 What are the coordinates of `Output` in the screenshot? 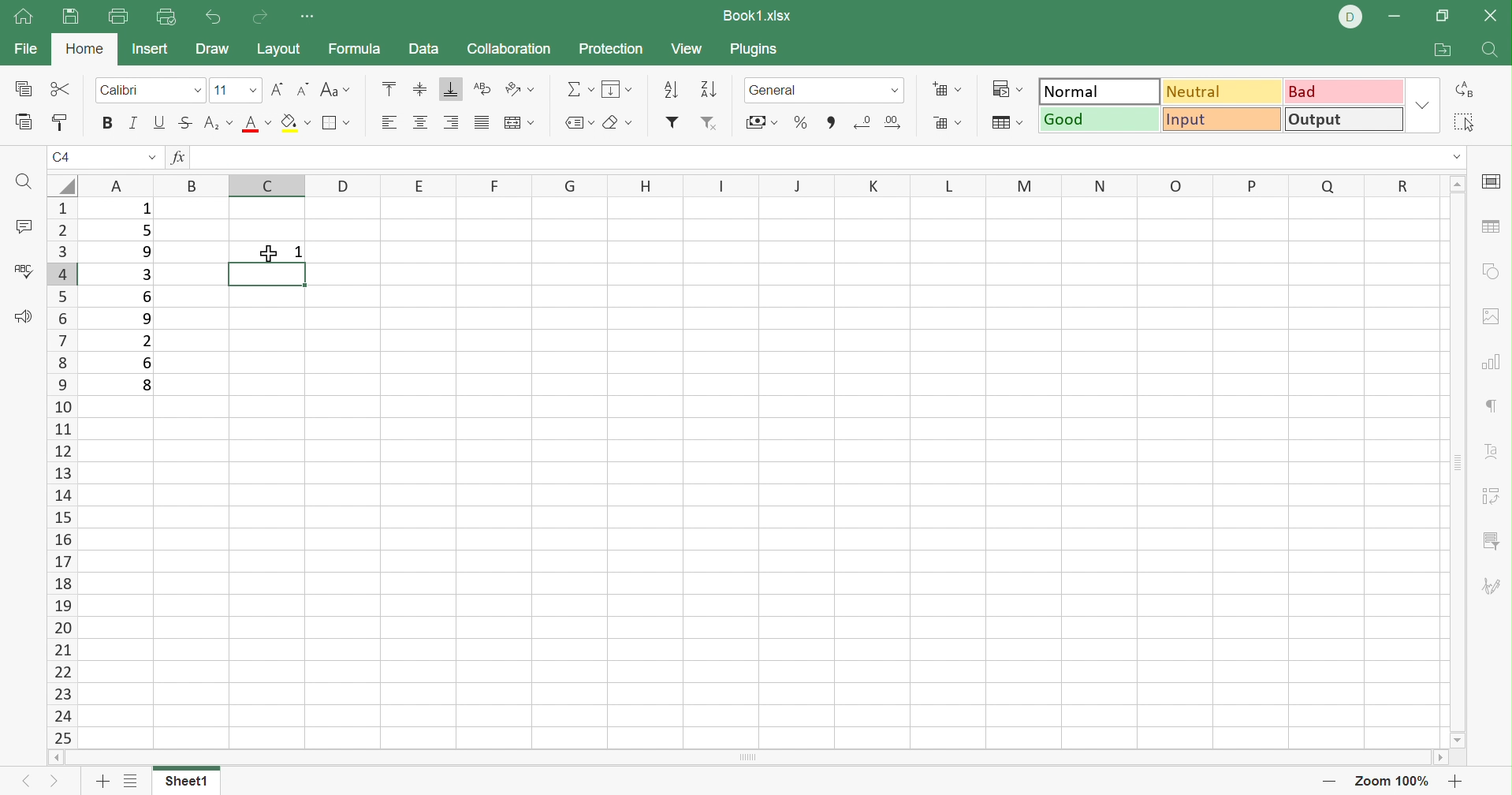 It's located at (1343, 120).